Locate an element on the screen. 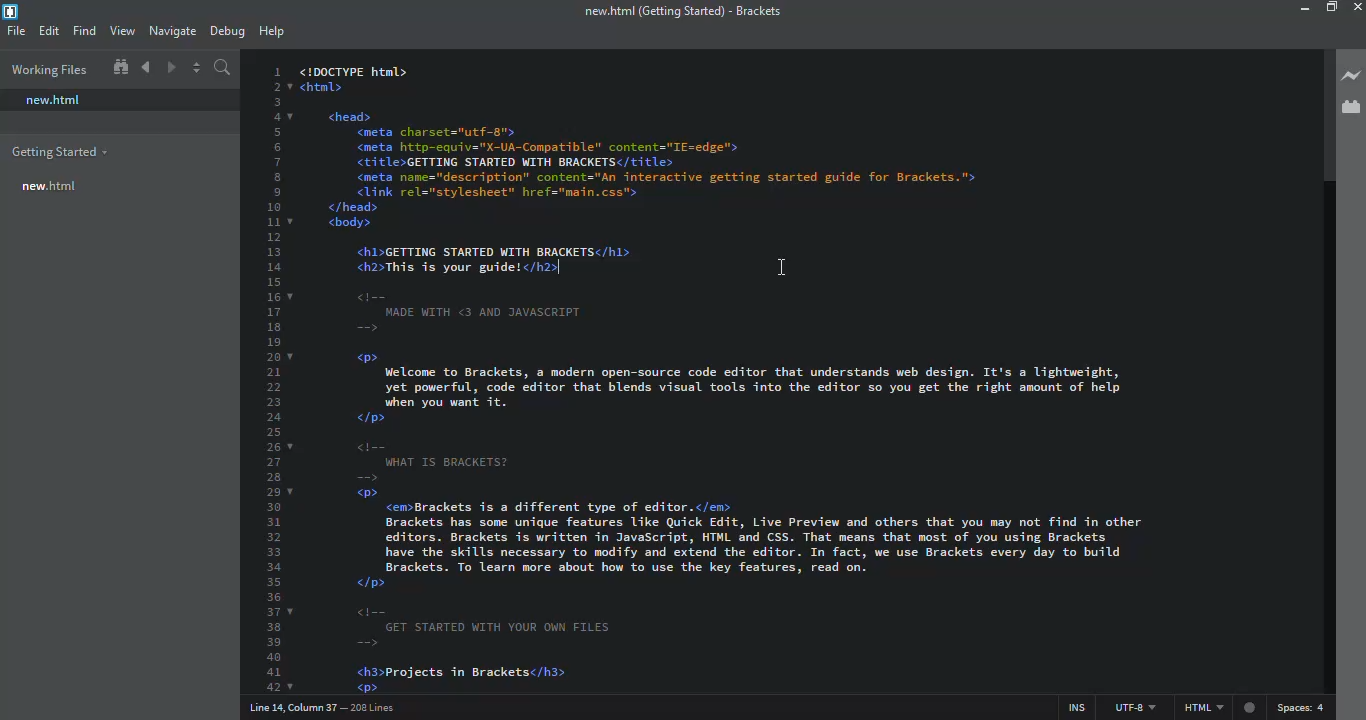 This screenshot has width=1366, height=720. show in file tree is located at coordinates (119, 68).